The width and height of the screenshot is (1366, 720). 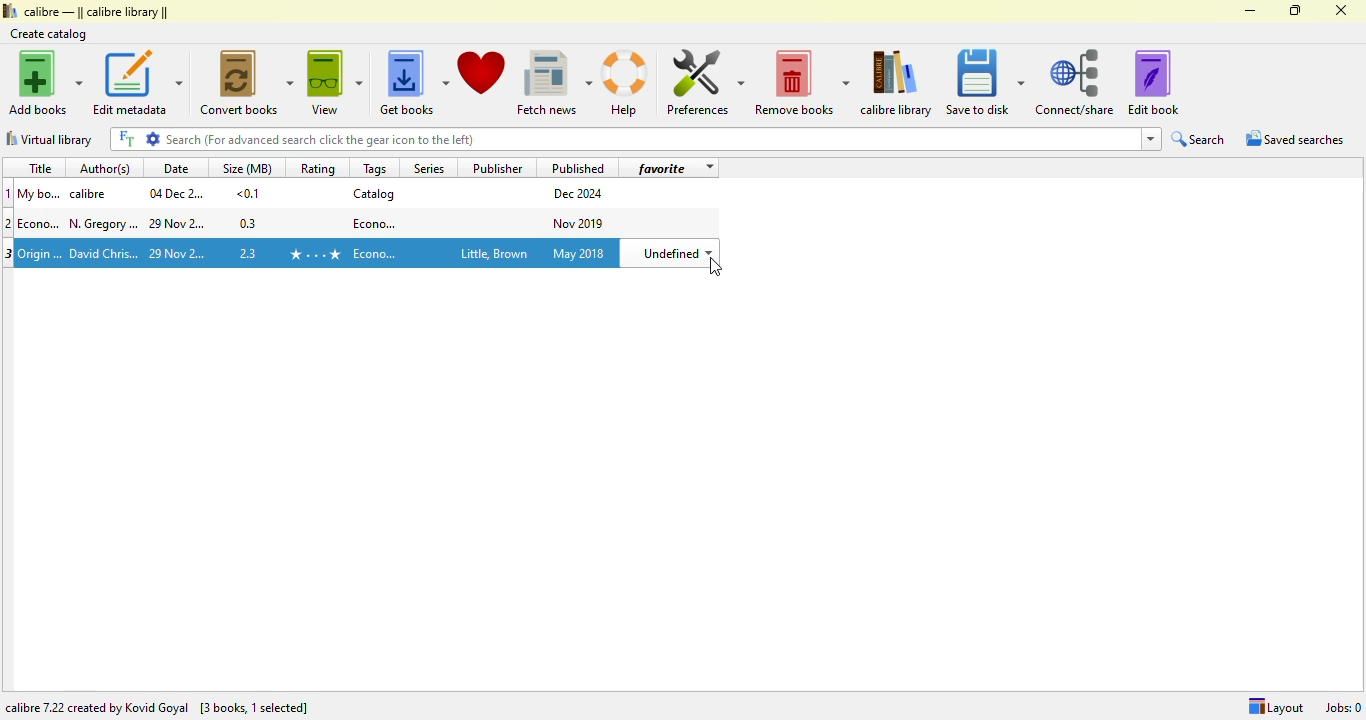 What do you see at coordinates (153, 138) in the screenshot?
I see `settings` at bounding box center [153, 138].